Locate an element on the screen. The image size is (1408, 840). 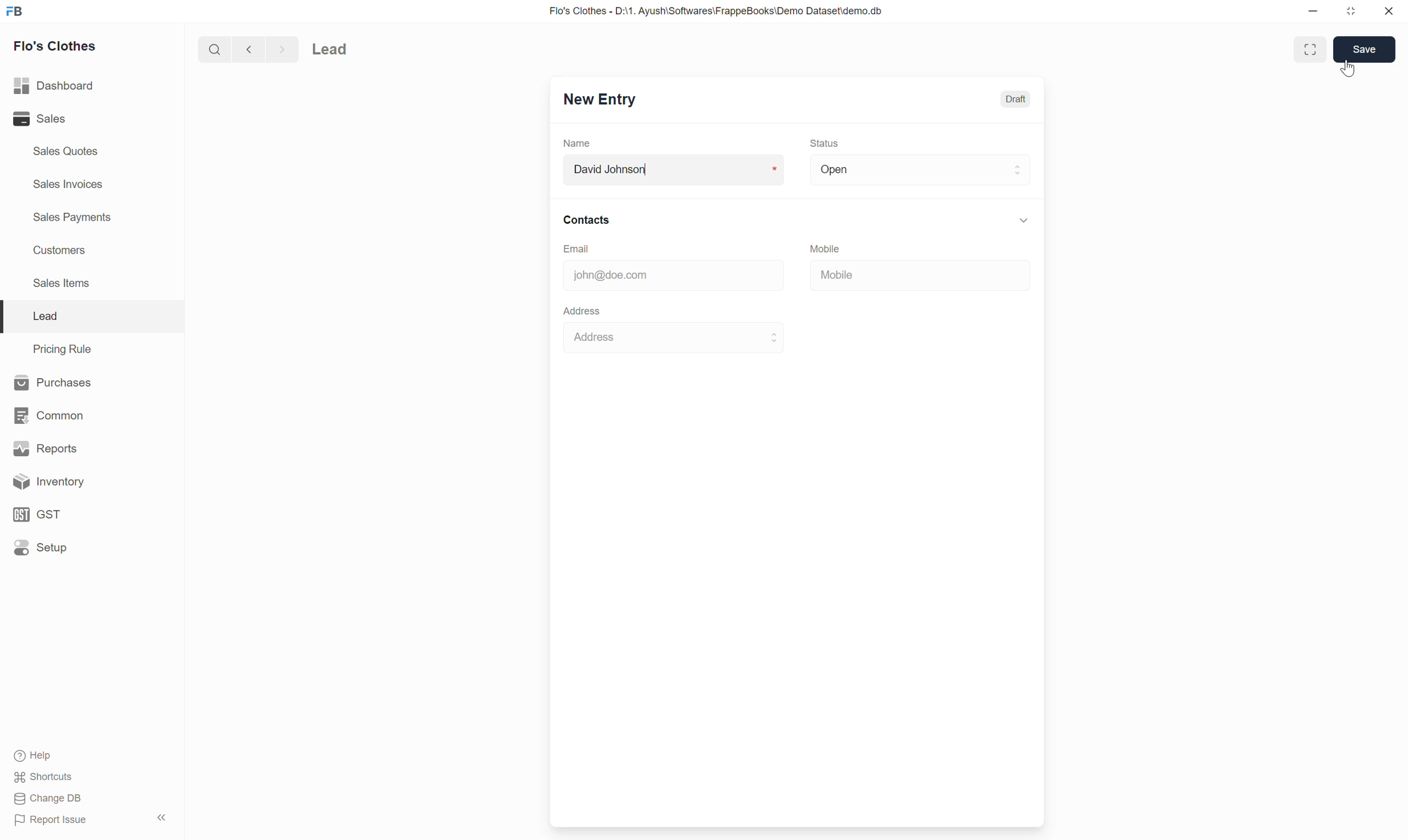
Mobile is located at coordinates (831, 246).